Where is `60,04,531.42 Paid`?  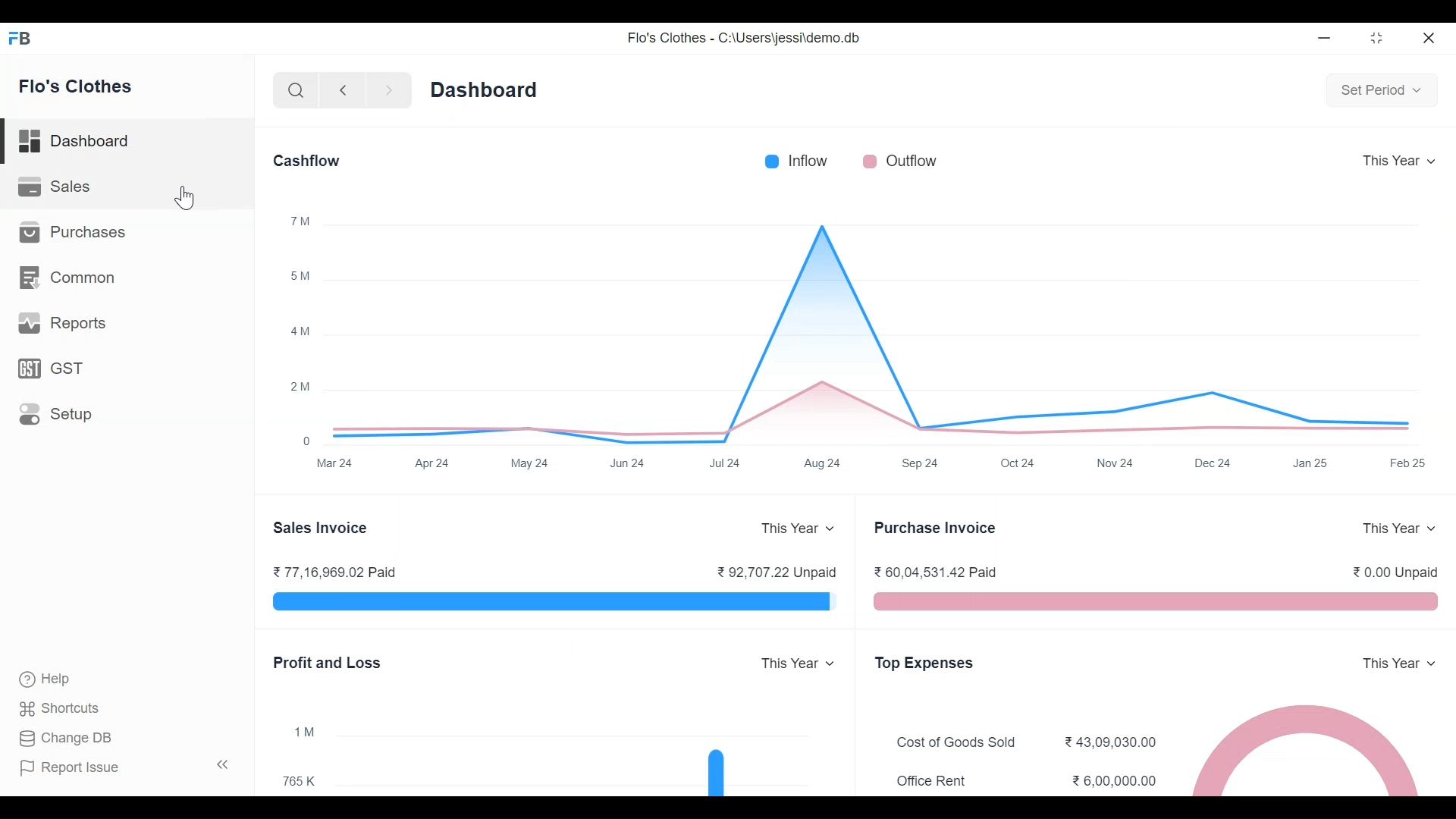
60,04,531.42 Paid is located at coordinates (936, 572).